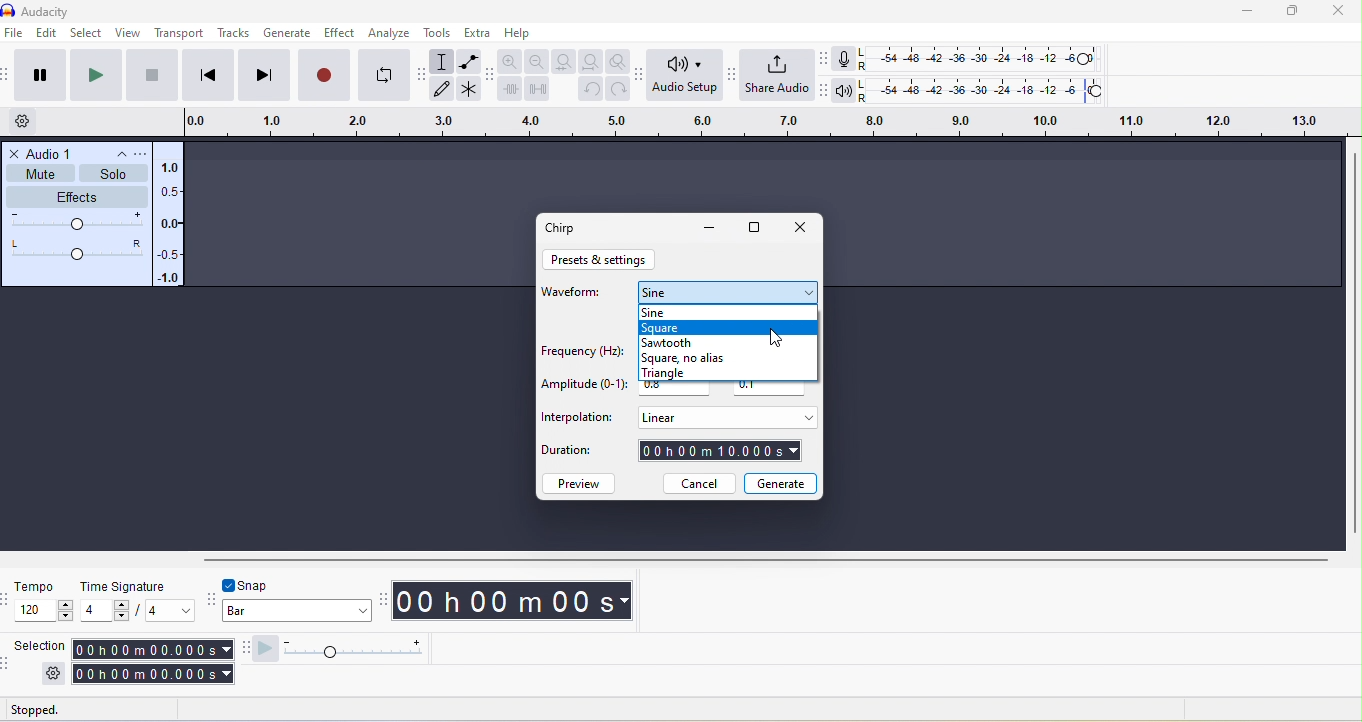  Describe the element at coordinates (698, 484) in the screenshot. I see `cancel` at that location.